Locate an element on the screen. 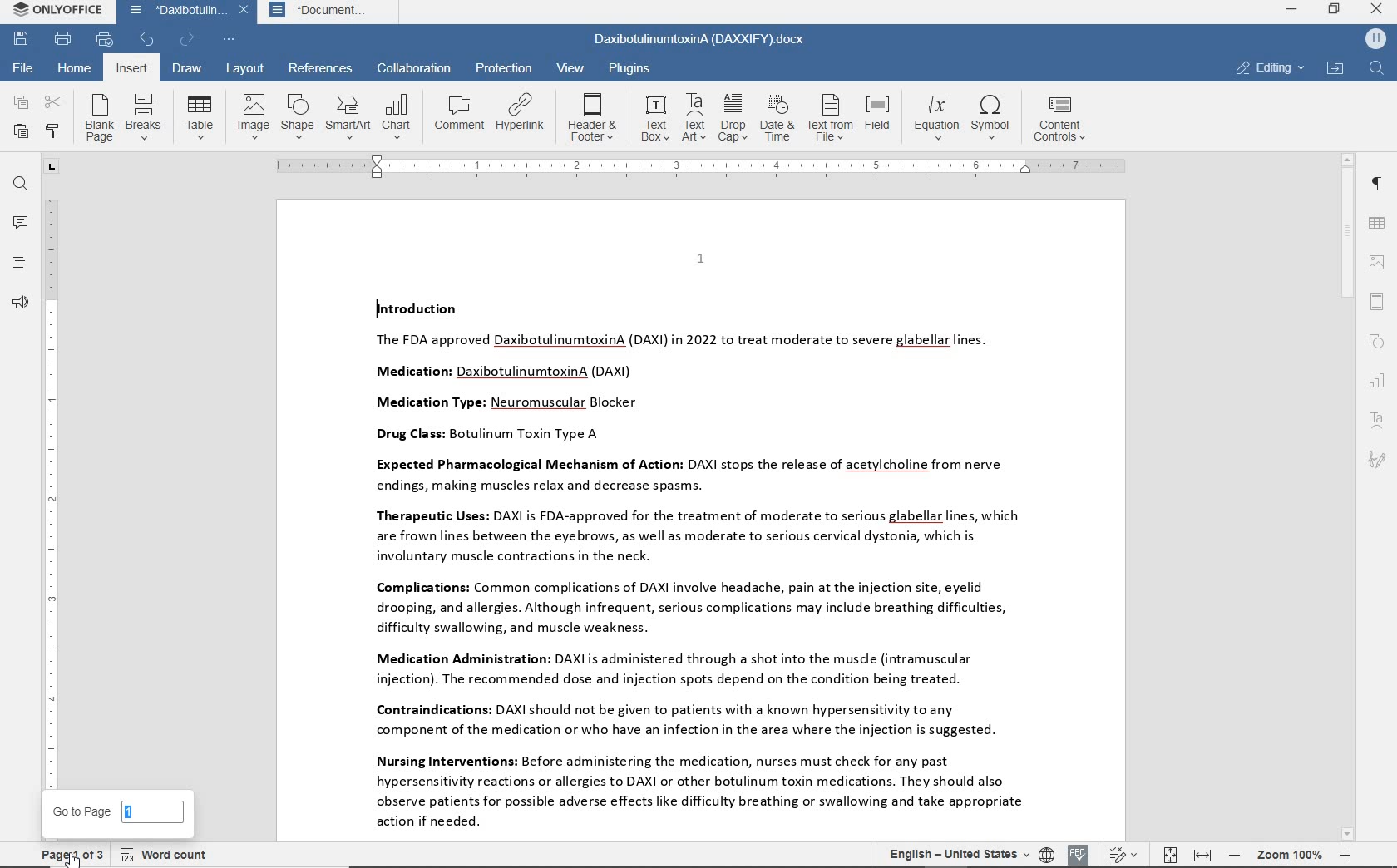  Go to Page is located at coordinates (117, 810).